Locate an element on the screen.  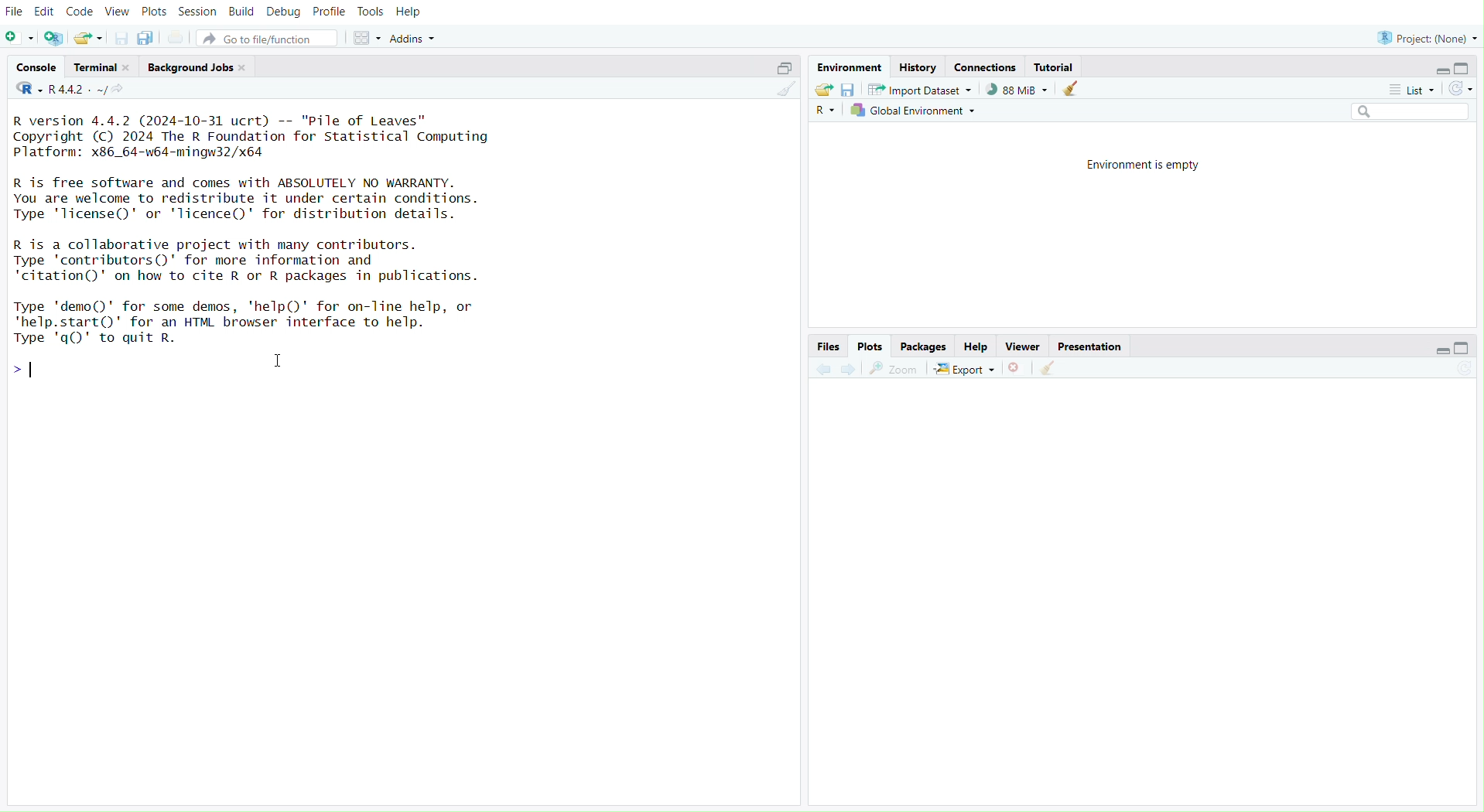
Files is located at coordinates (829, 346).